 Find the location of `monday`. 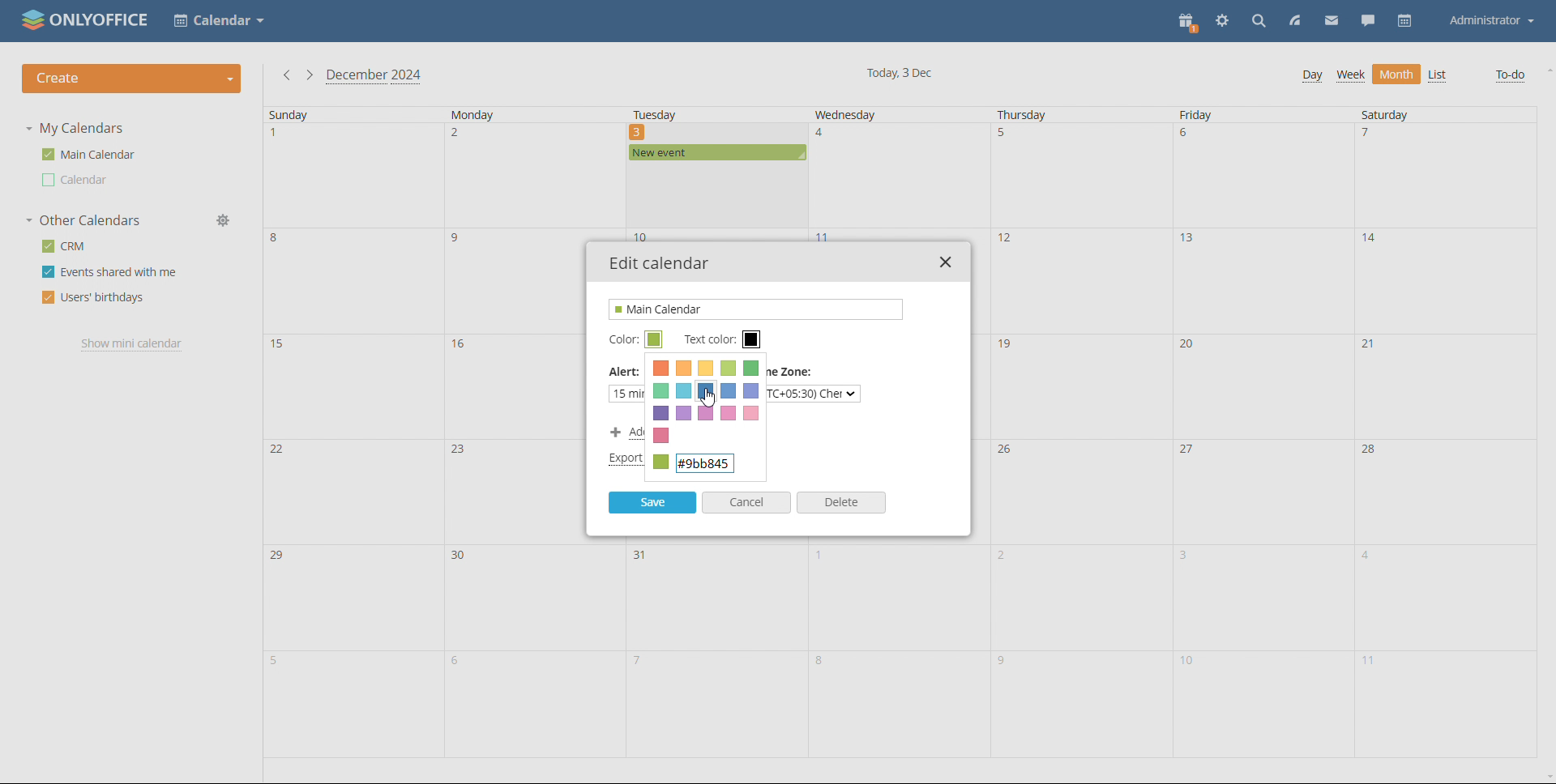

monday is located at coordinates (519, 114).